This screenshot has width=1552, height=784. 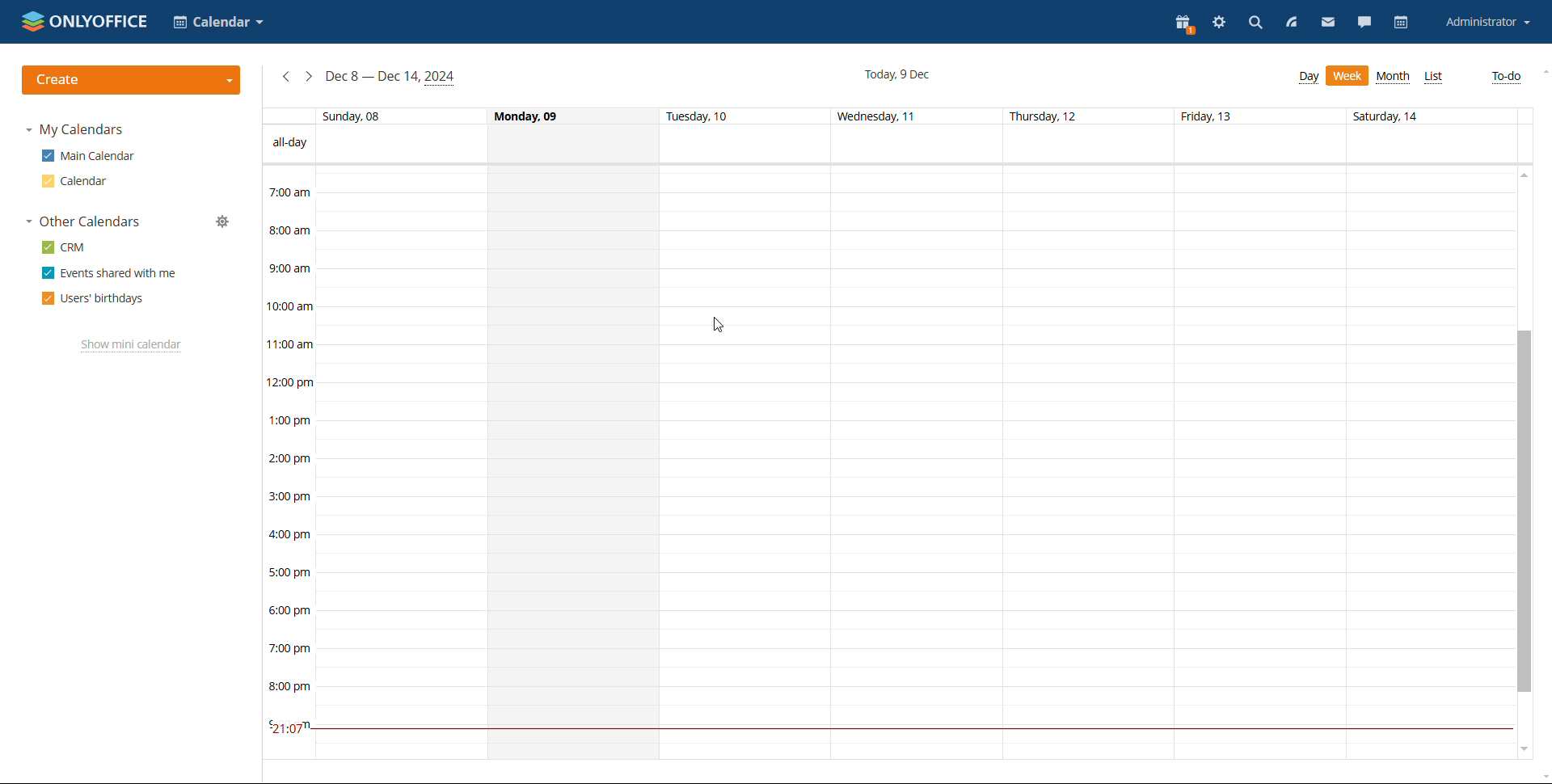 What do you see at coordinates (110, 273) in the screenshot?
I see `events shared with me` at bounding box center [110, 273].